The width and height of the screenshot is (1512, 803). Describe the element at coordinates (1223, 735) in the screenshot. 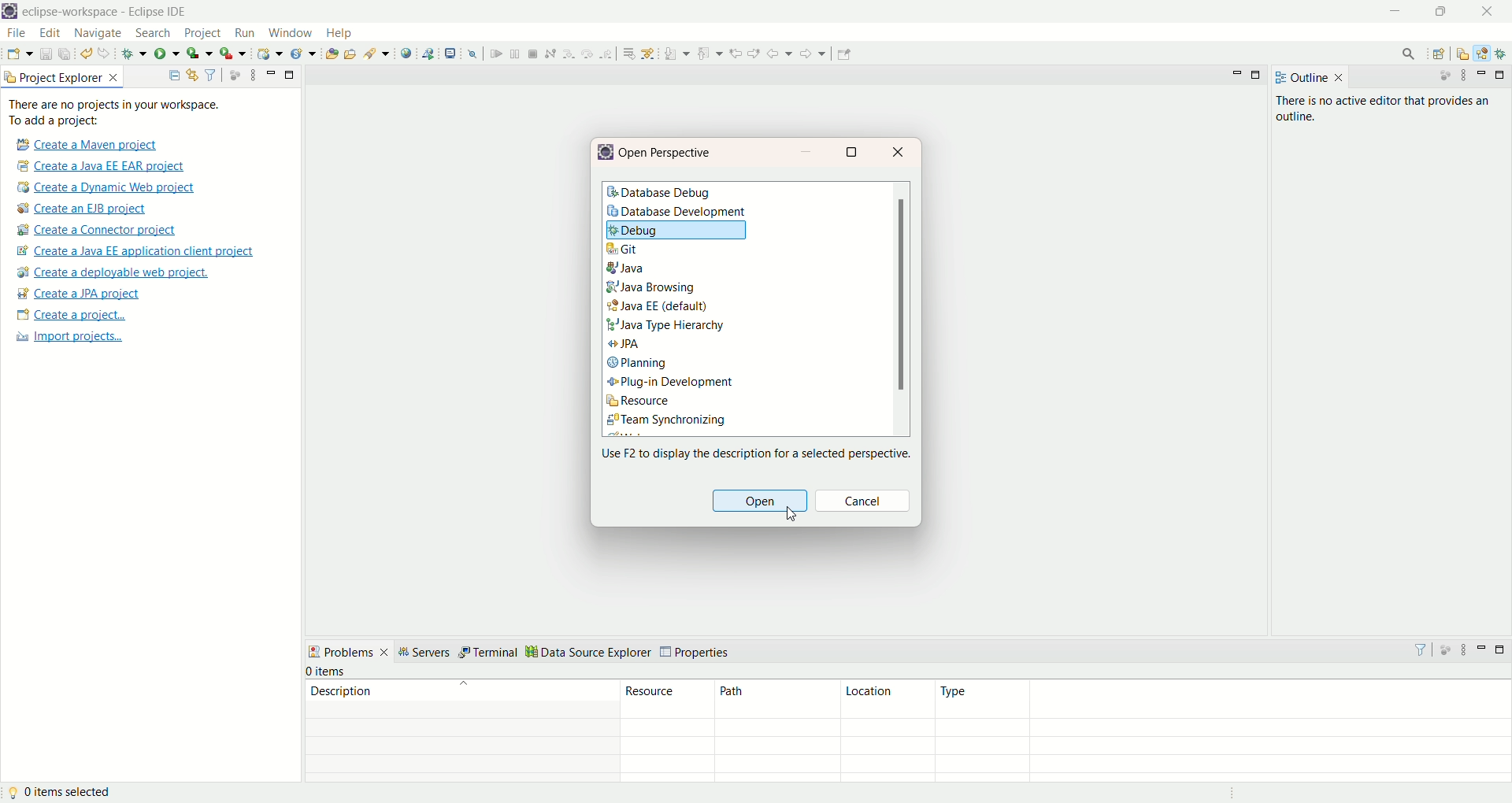

I see `type` at that location.